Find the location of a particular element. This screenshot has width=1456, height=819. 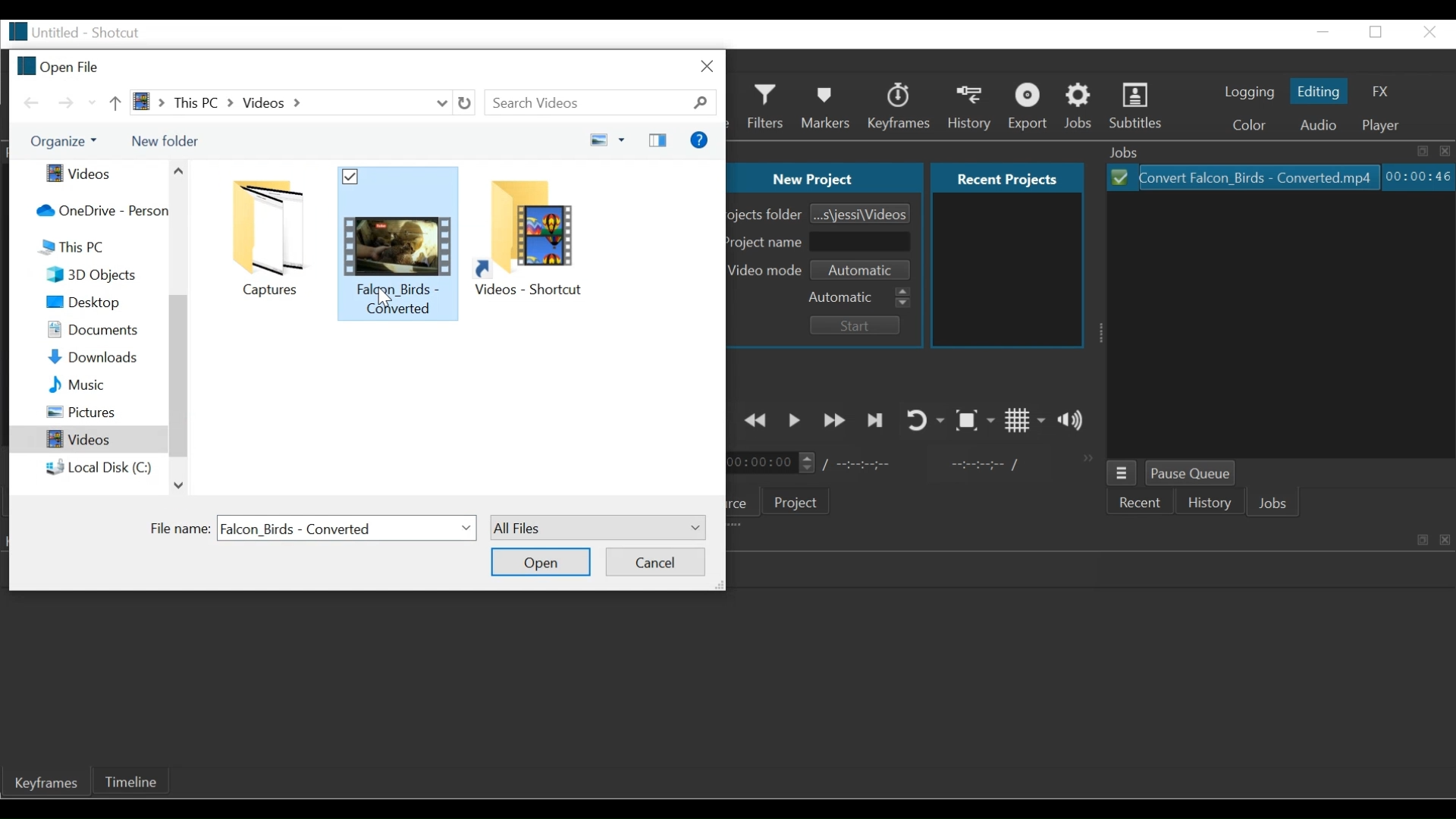

Search Videos is located at coordinates (601, 103).